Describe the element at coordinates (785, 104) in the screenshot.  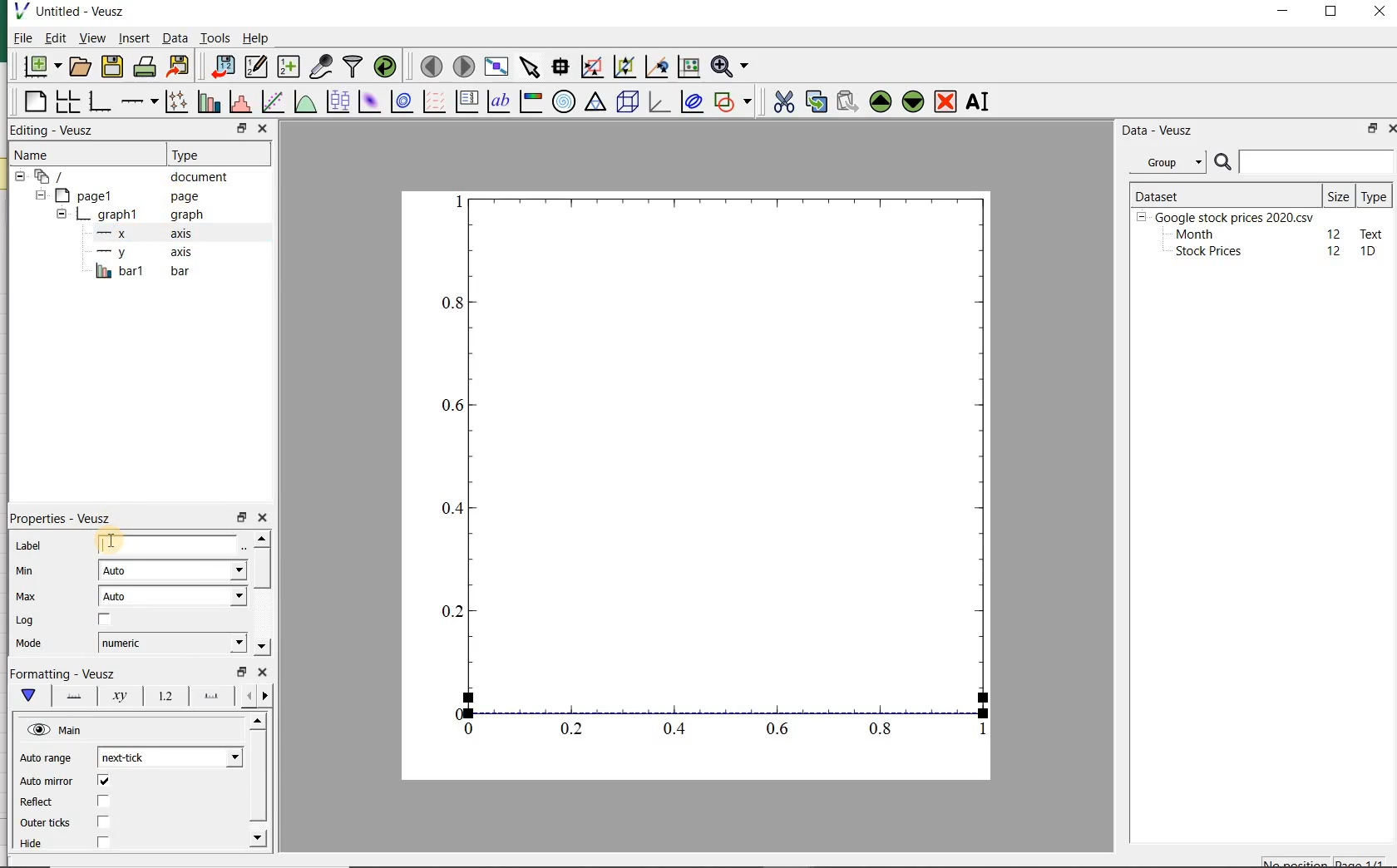
I see `cut the selected widget` at that location.